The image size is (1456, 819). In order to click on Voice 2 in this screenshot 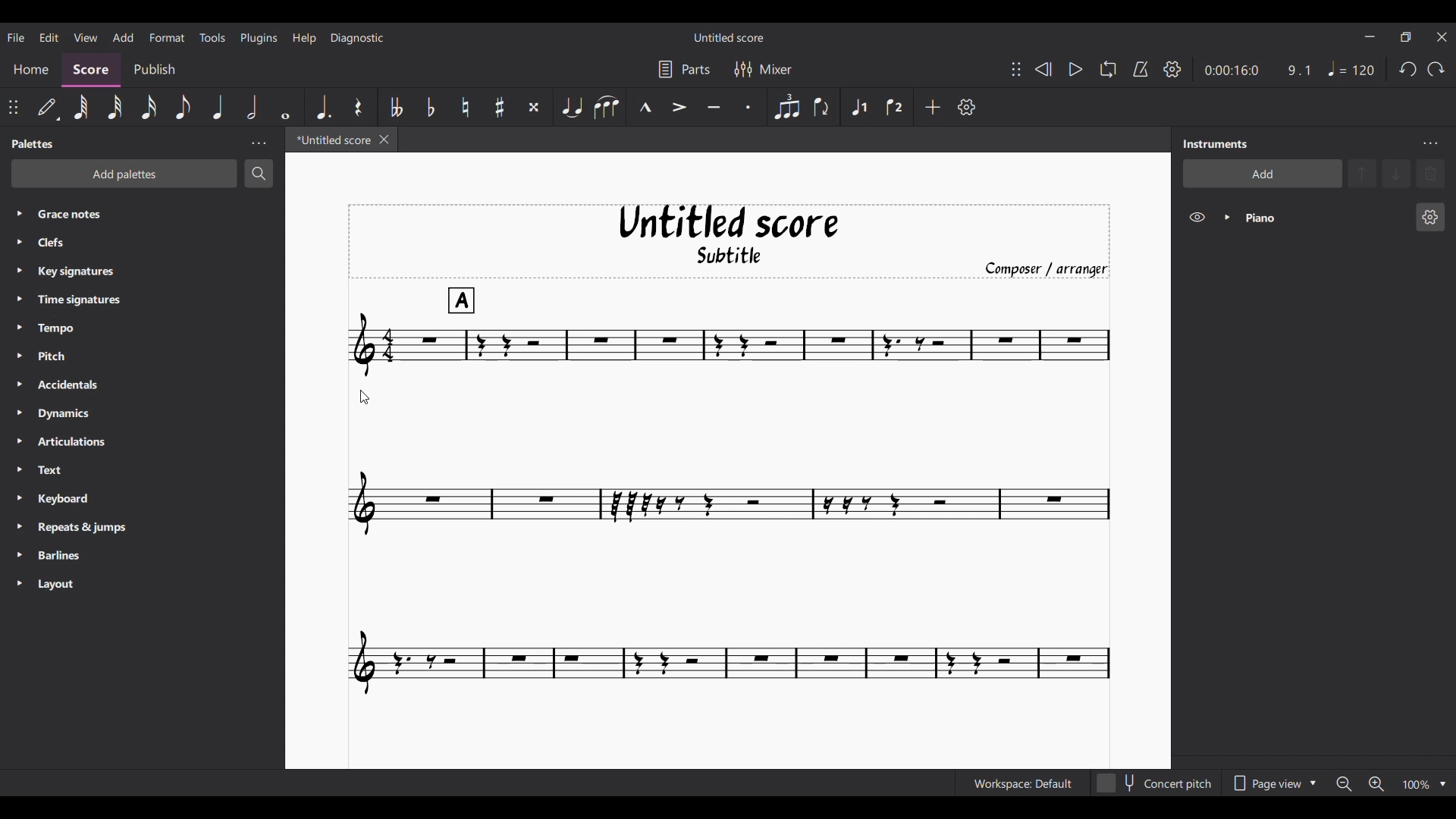, I will do `click(894, 108)`.